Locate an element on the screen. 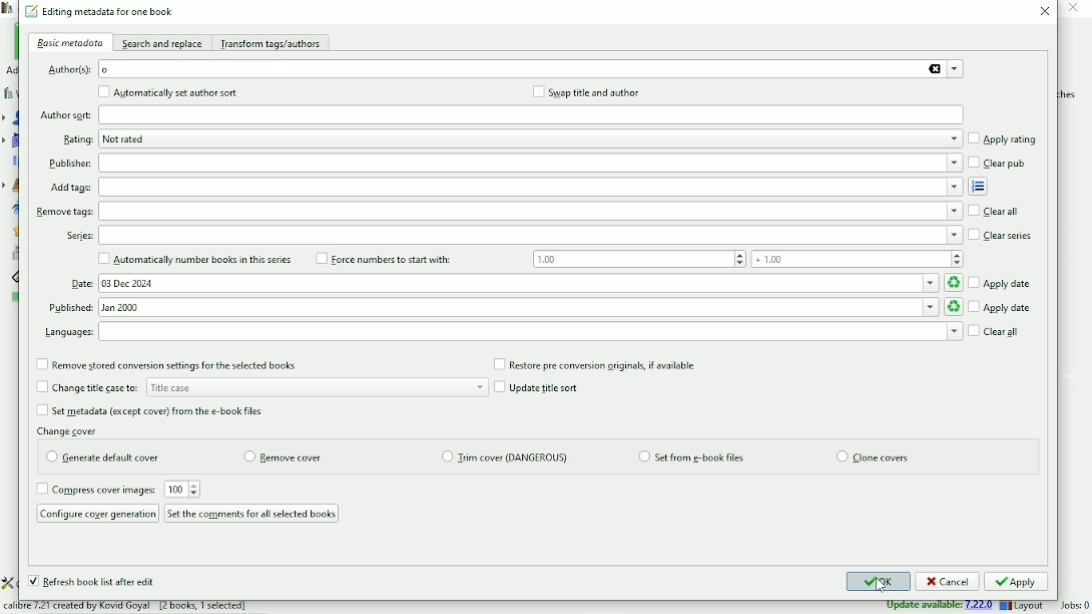 Image resolution: width=1092 pixels, height=614 pixels. Date is located at coordinates (530, 284).